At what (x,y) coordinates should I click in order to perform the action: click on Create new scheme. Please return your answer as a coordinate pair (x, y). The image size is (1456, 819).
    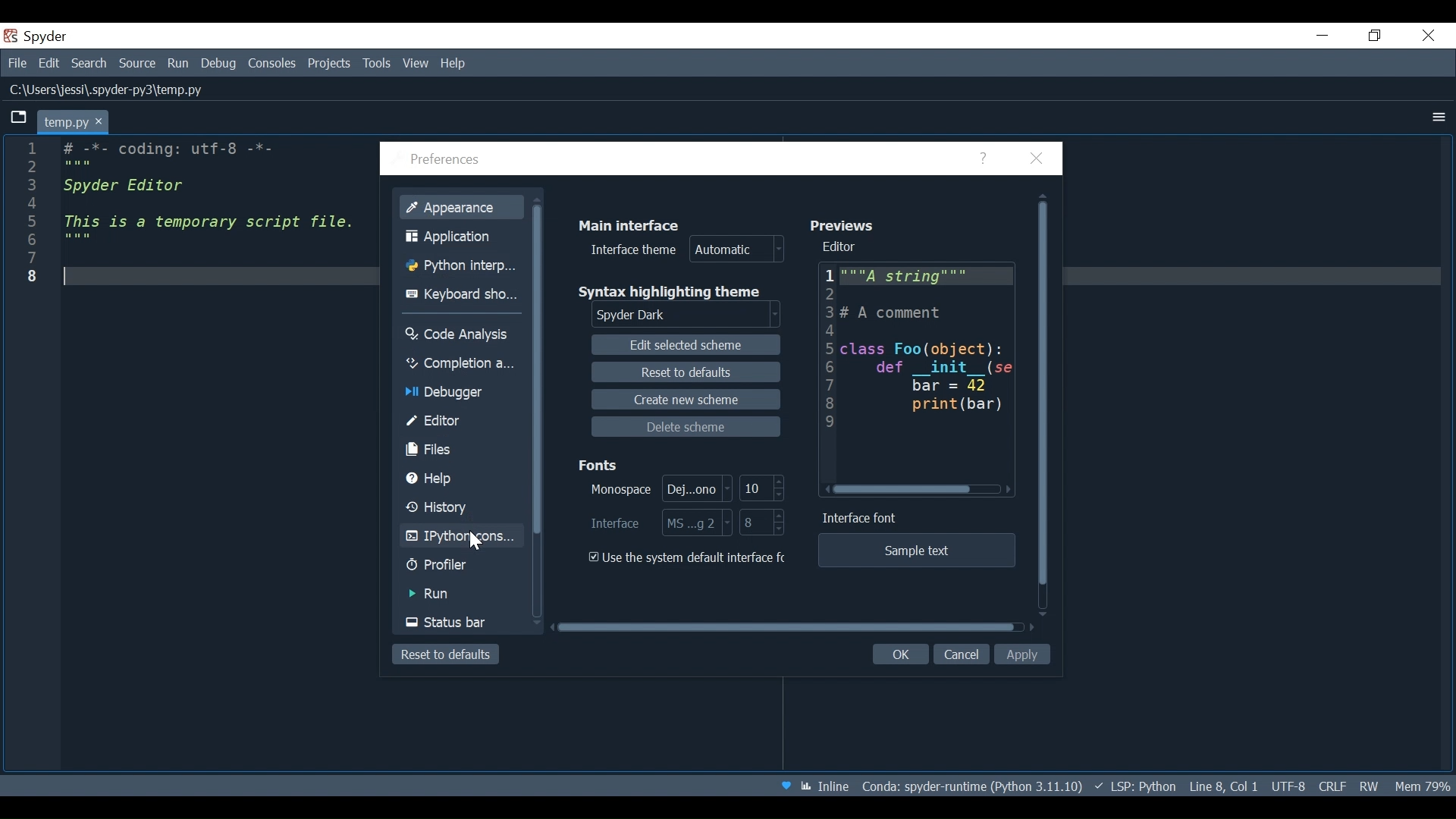
    Looking at the image, I should click on (692, 400).